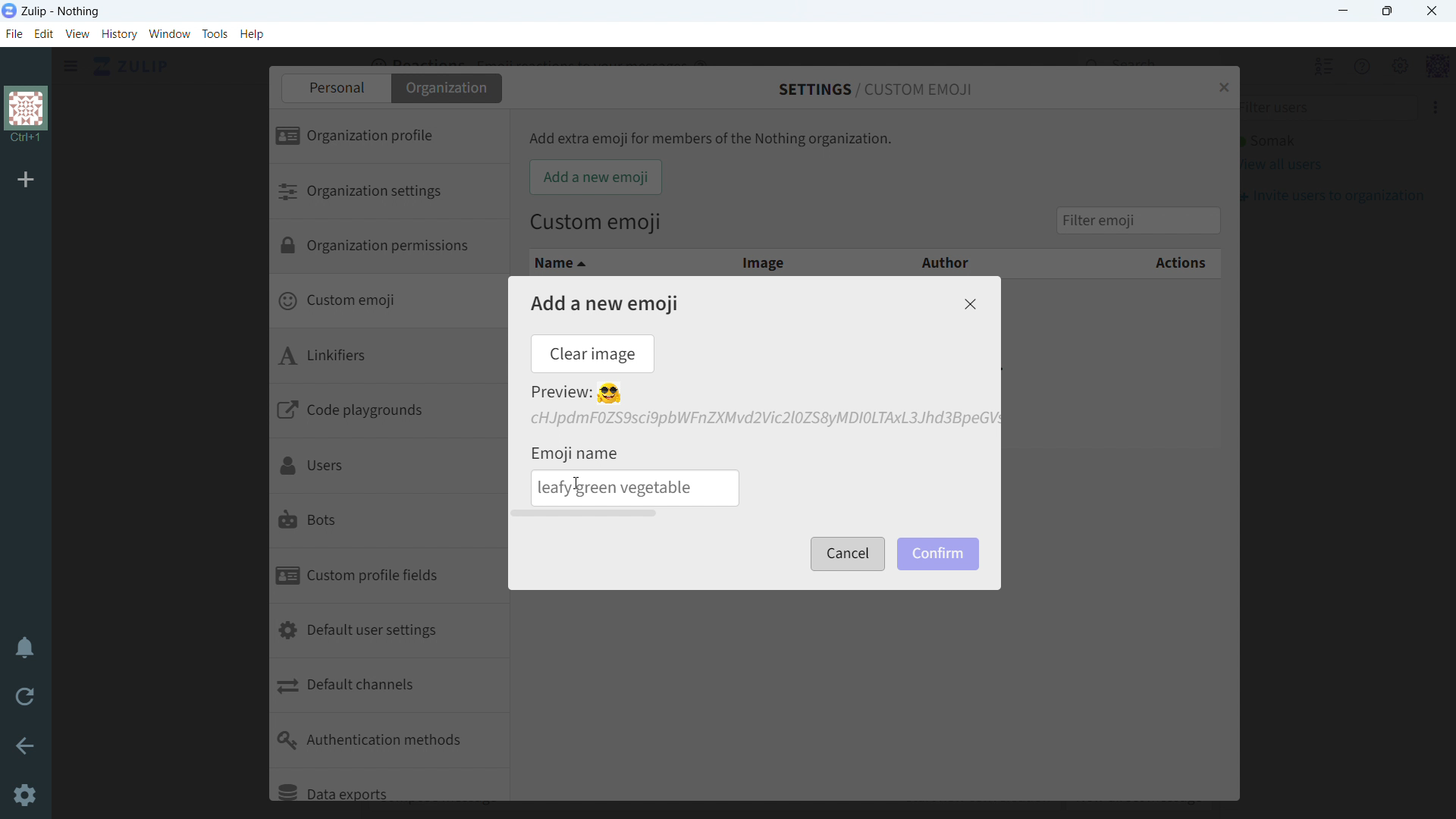 The image size is (1456, 819). I want to click on close, so click(1222, 86).